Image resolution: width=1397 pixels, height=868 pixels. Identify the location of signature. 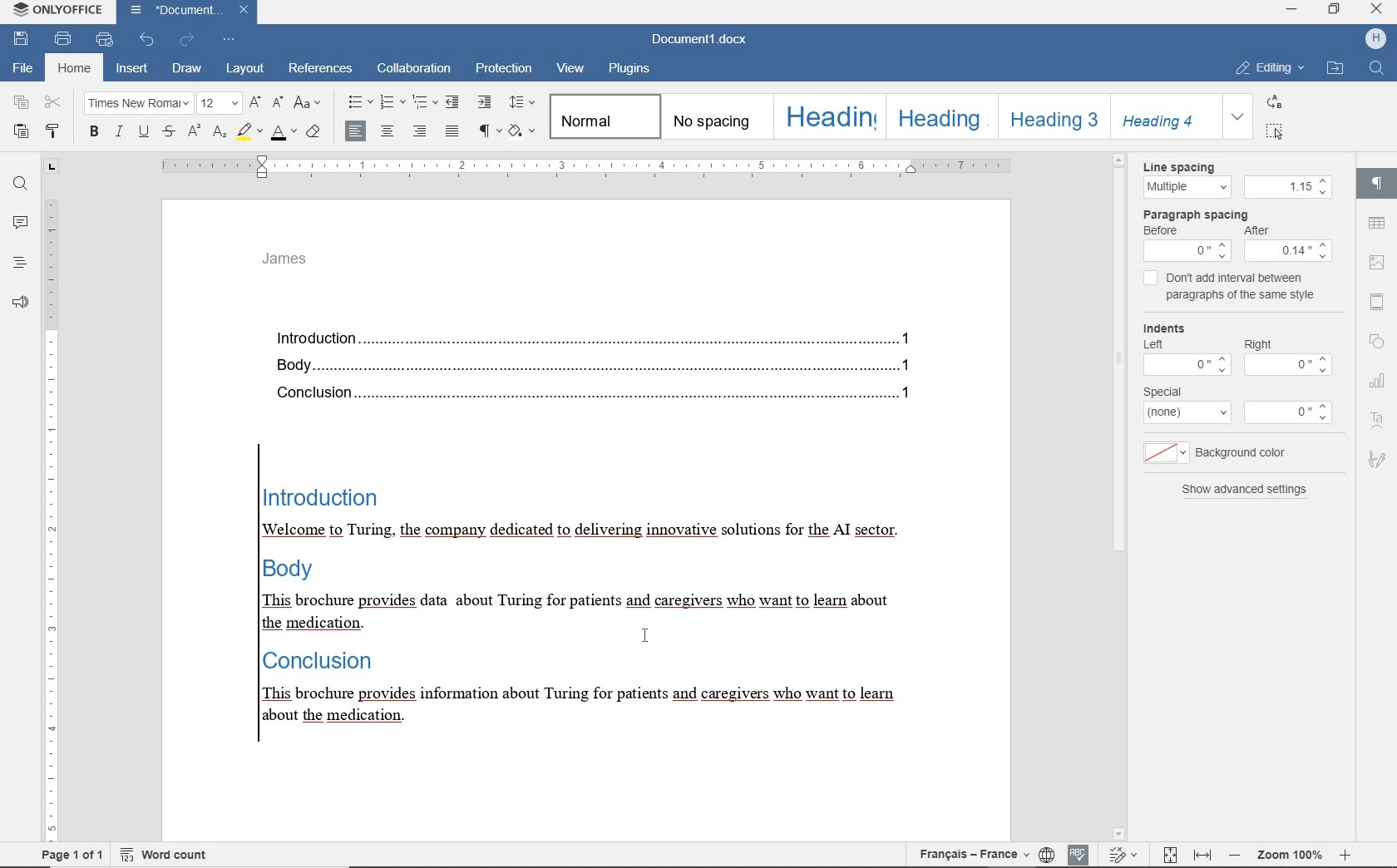
(1379, 458).